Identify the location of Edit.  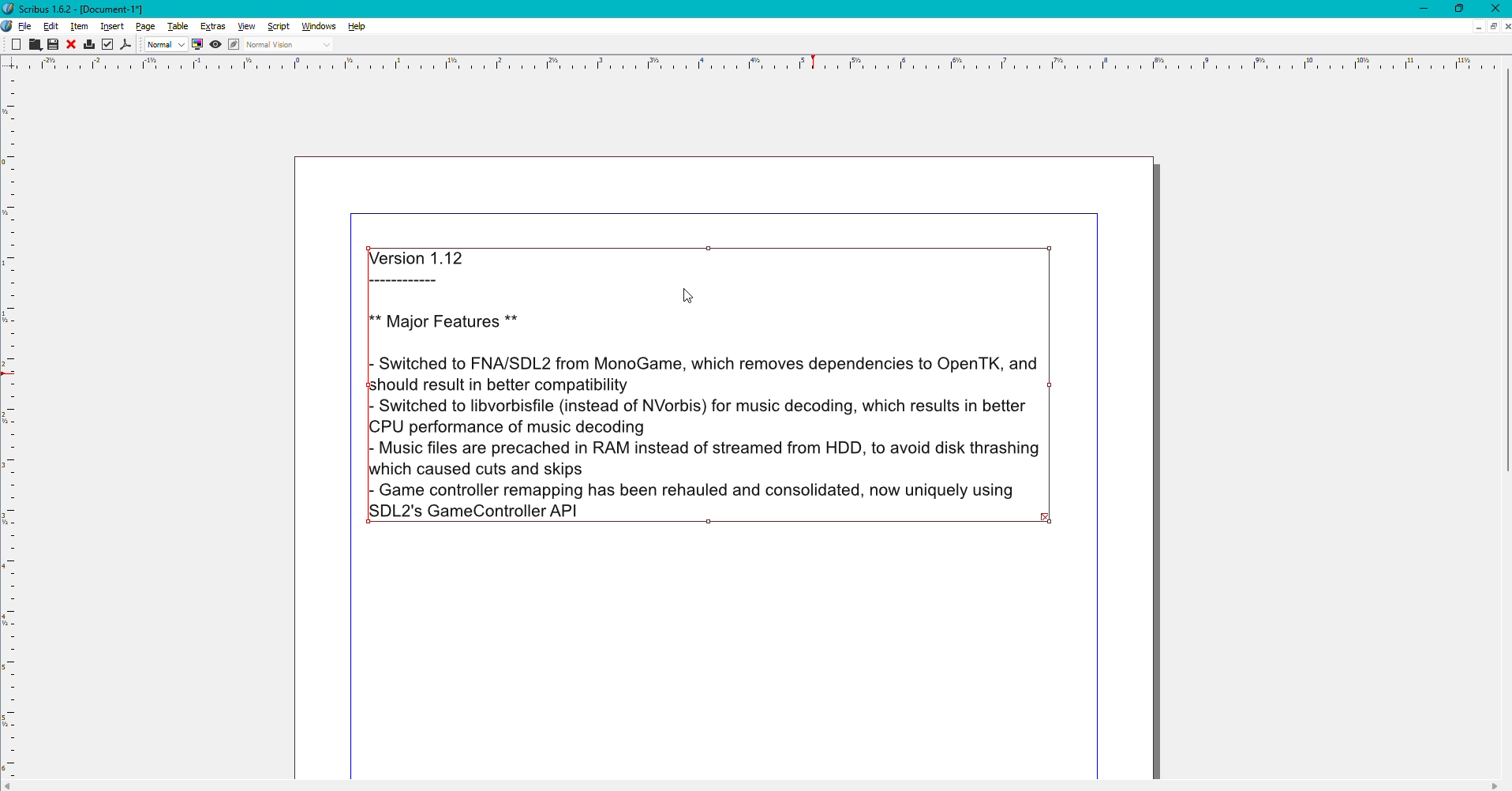
(51, 27).